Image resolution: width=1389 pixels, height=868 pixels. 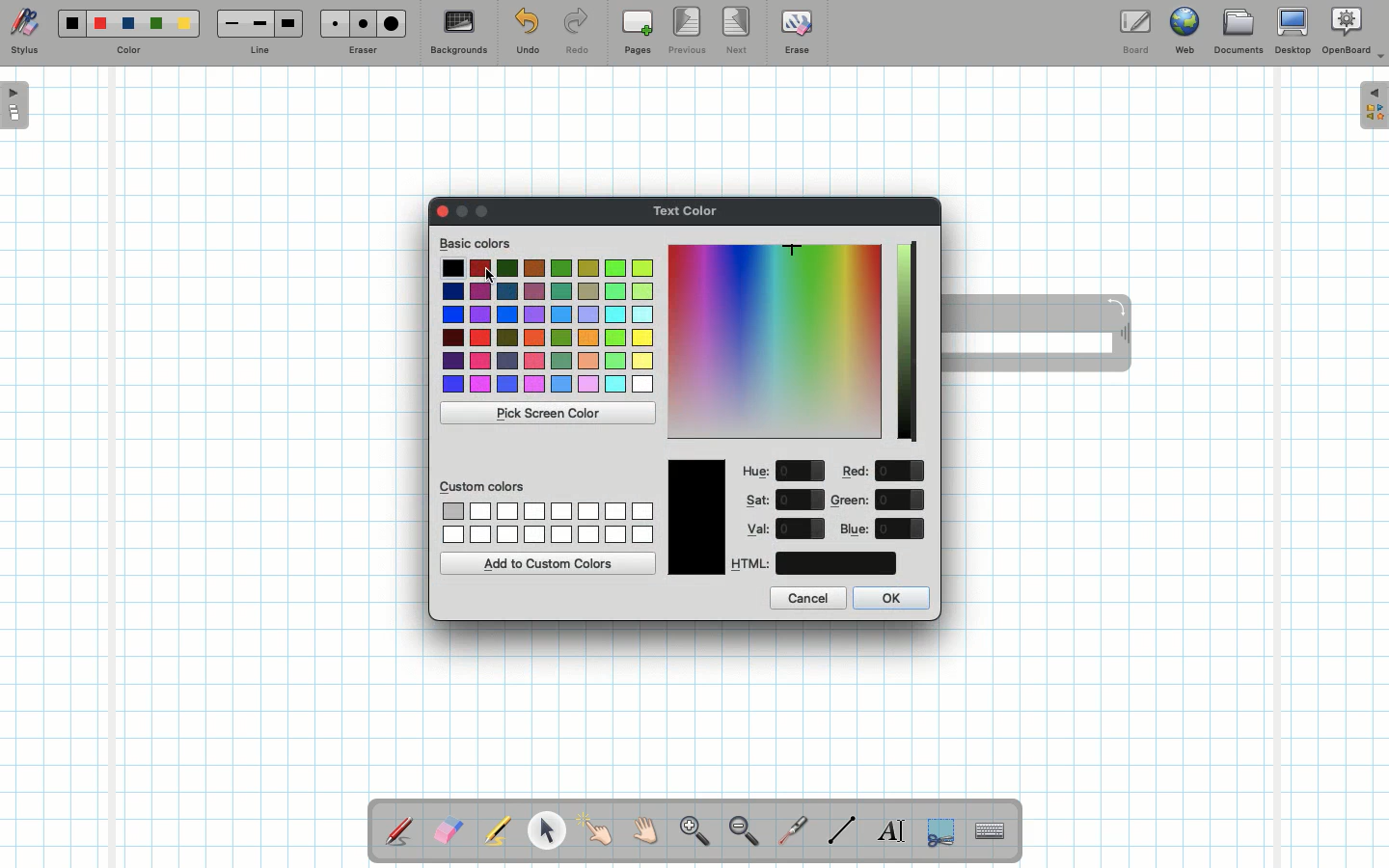 What do you see at coordinates (70, 23) in the screenshot?
I see `Black` at bounding box center [70, 23].